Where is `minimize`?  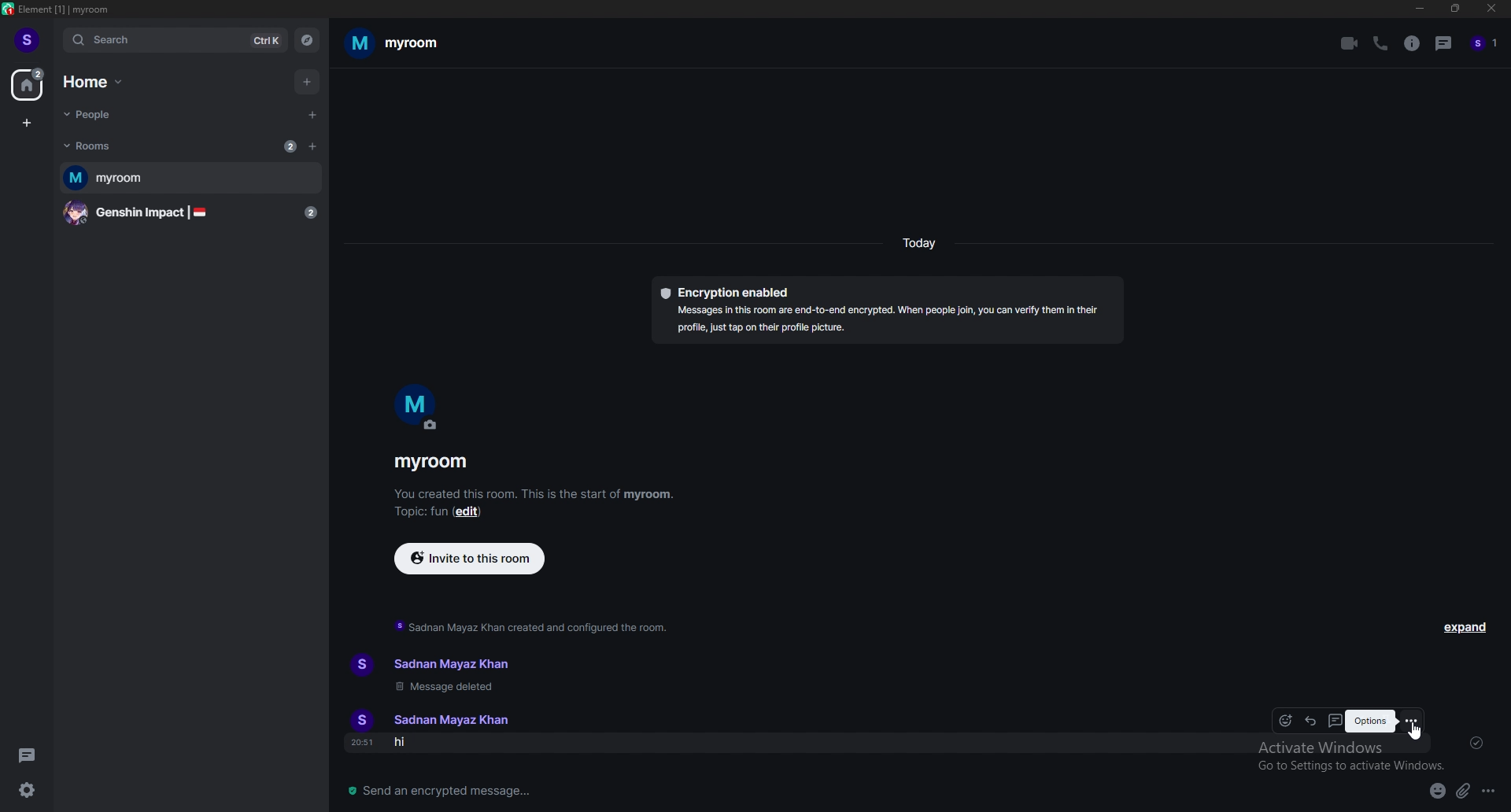
minimize is located at coordinates (1419, 9).